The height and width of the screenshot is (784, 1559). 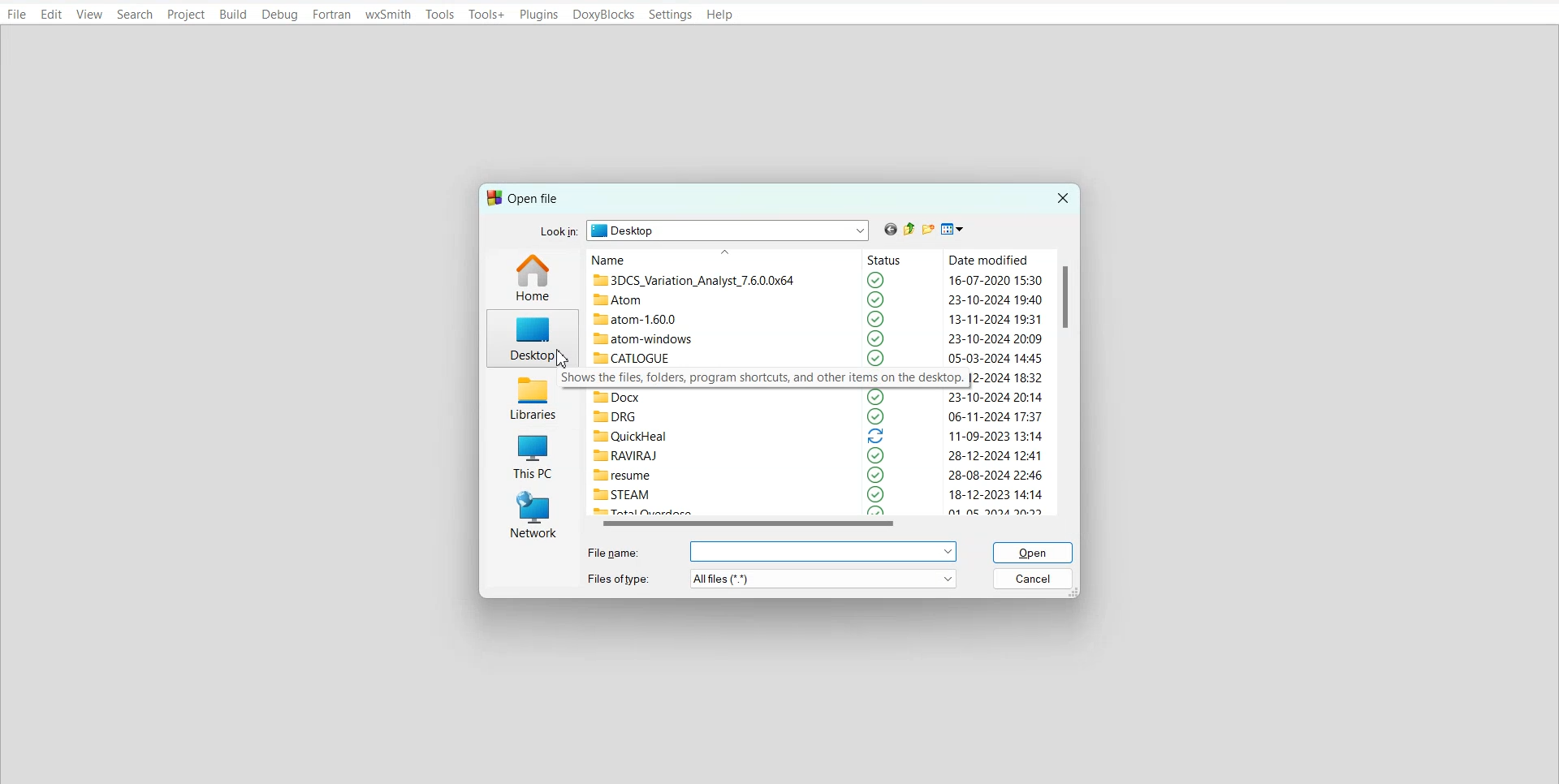 What do you see at coordinates (487, 15) in the screenshot?
I see `Tools+` at bounding box center [487, 15].